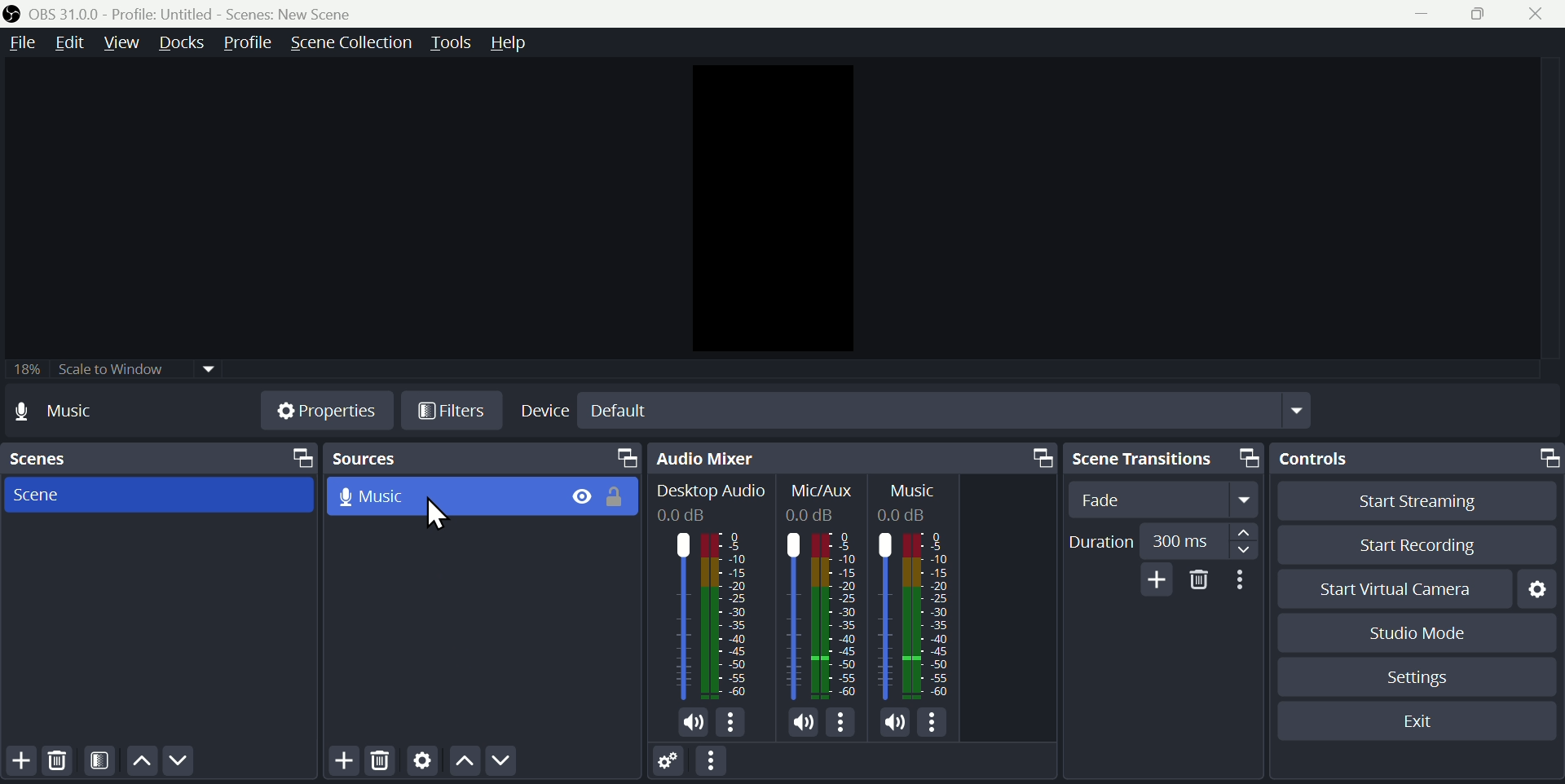 The height and width of the screenshot is (784, 1565). What do you see at coordinates (708, 615) in the screenshot?
I see `Audio bar` at bounding box center [708, 615].